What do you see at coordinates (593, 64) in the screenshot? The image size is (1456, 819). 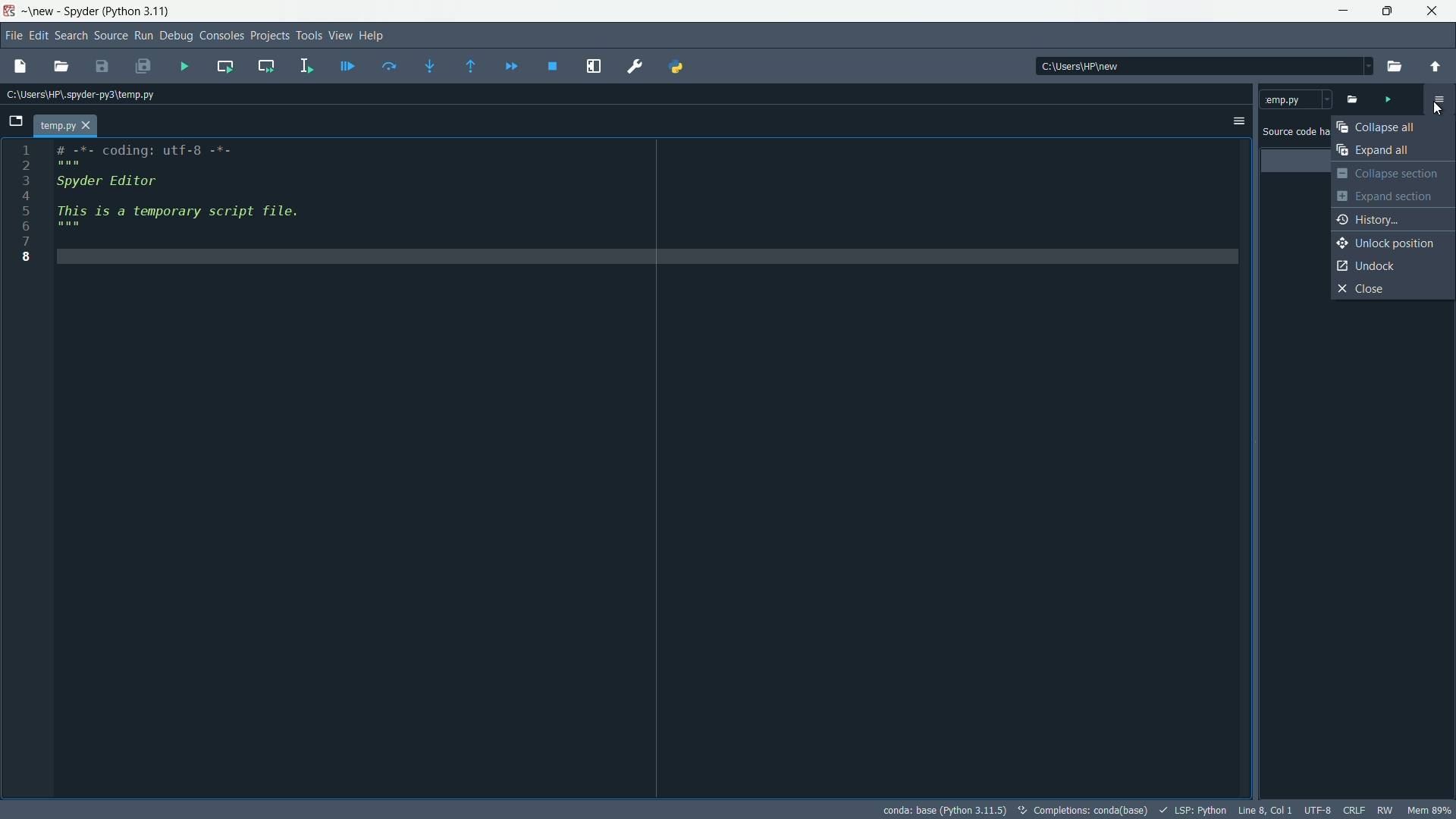 I see `maximize current pane` at bounding box center [593, 64].